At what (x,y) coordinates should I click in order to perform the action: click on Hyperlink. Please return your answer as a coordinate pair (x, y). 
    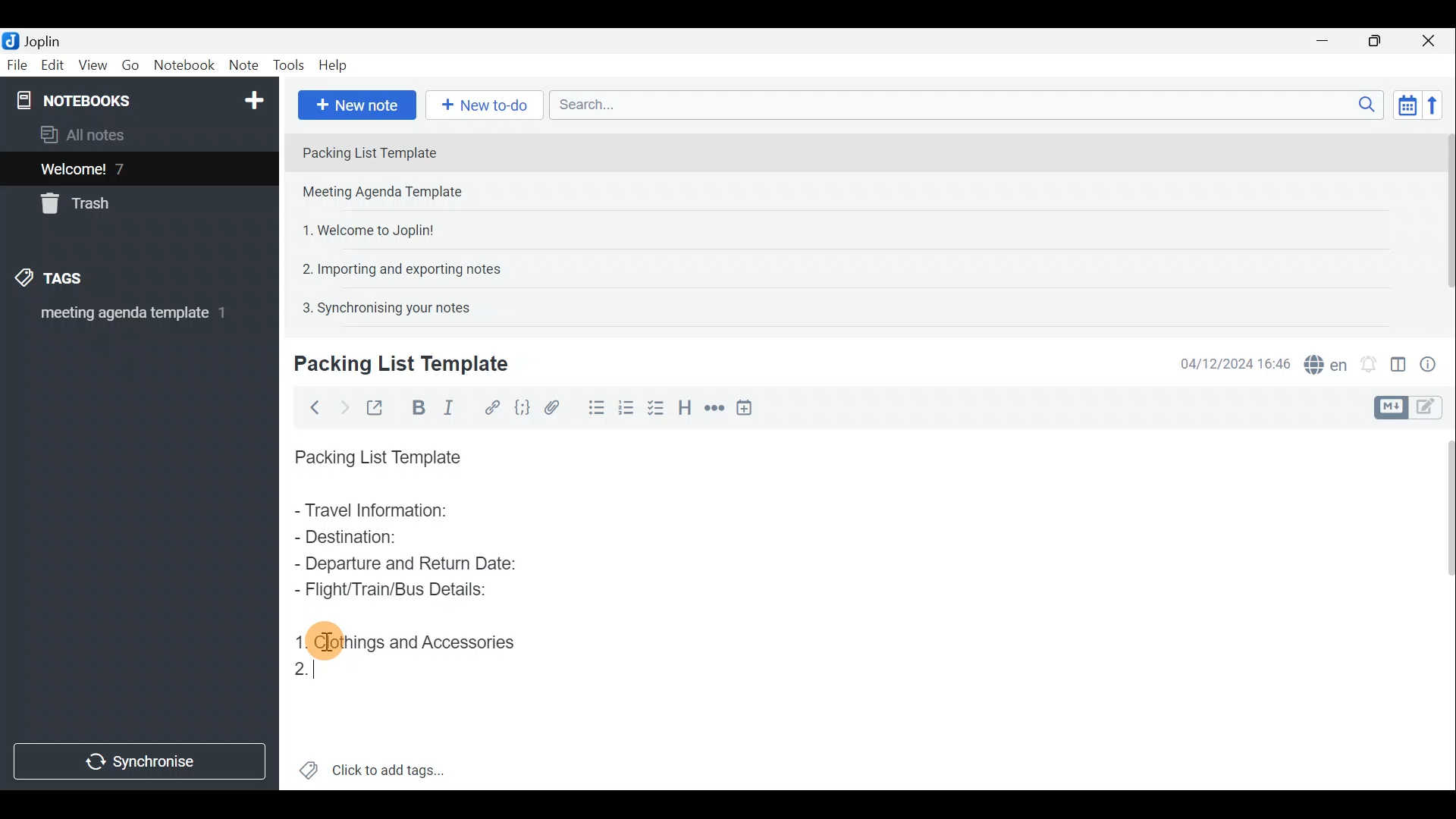
    Looking at the image, I should click on (489, 406).